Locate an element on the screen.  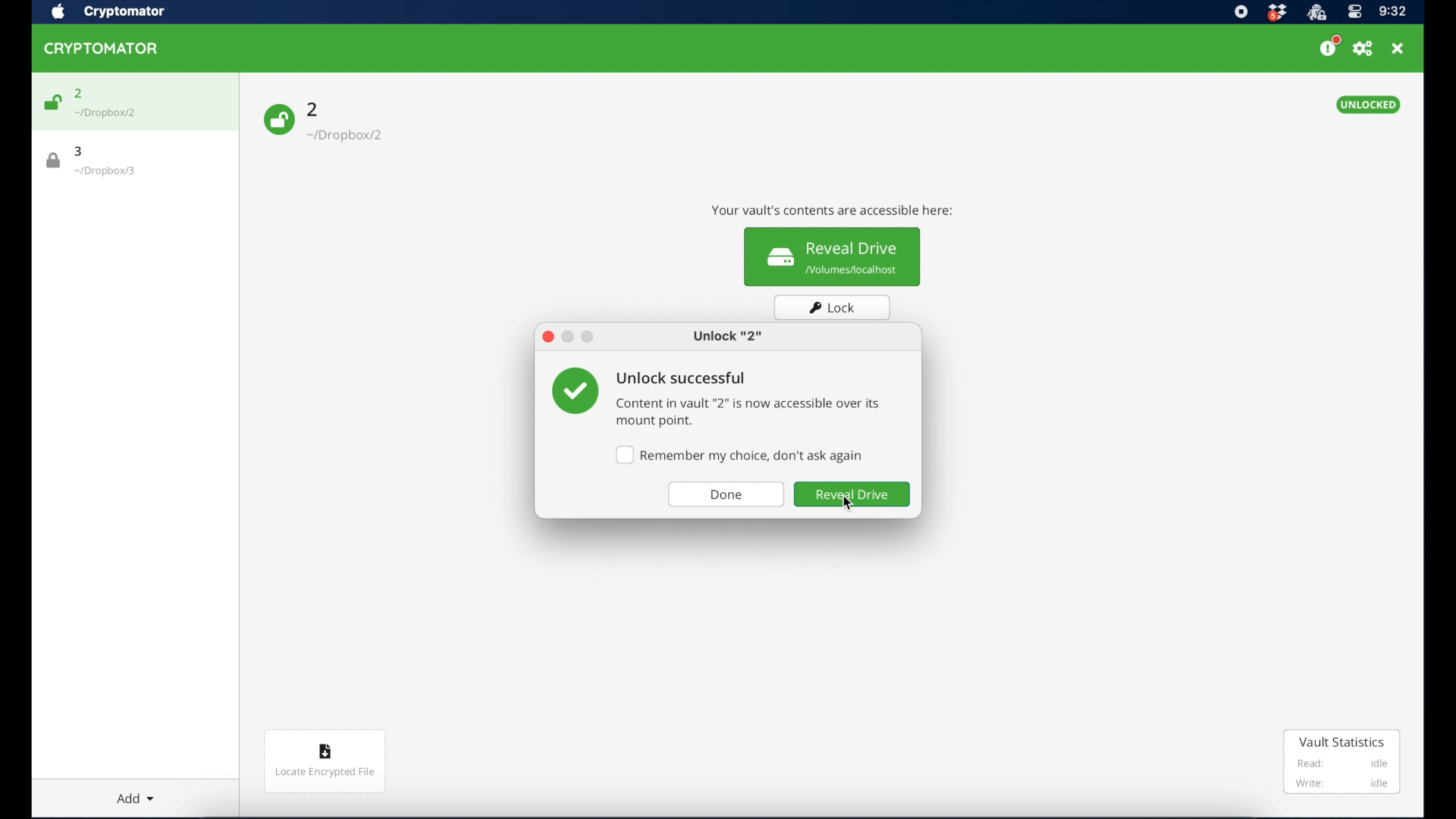
unlocked is located at coordinates (1367, 105).